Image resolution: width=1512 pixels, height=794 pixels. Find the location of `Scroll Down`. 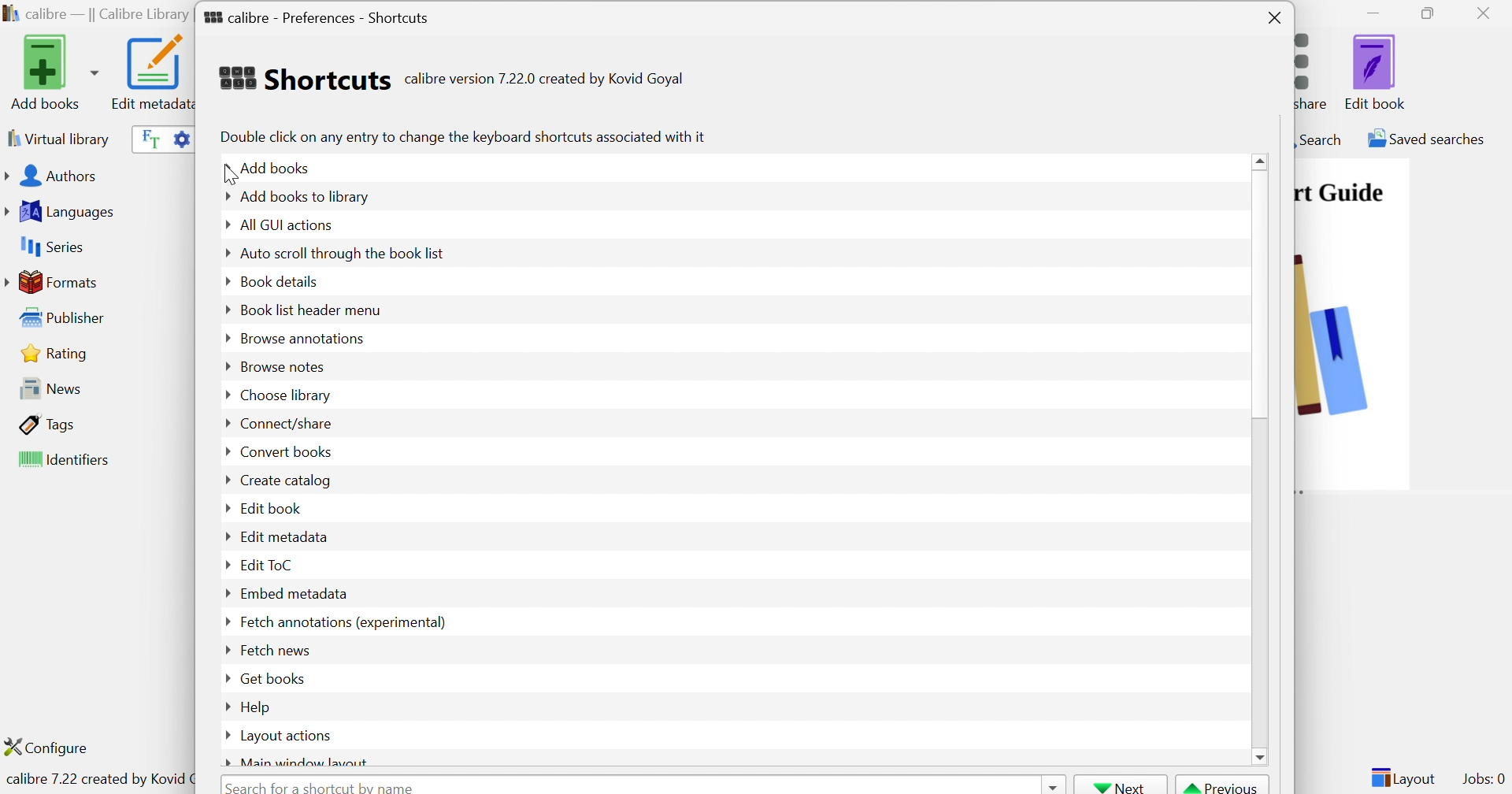

Scroll Down is located at coordinates (1261, 755).